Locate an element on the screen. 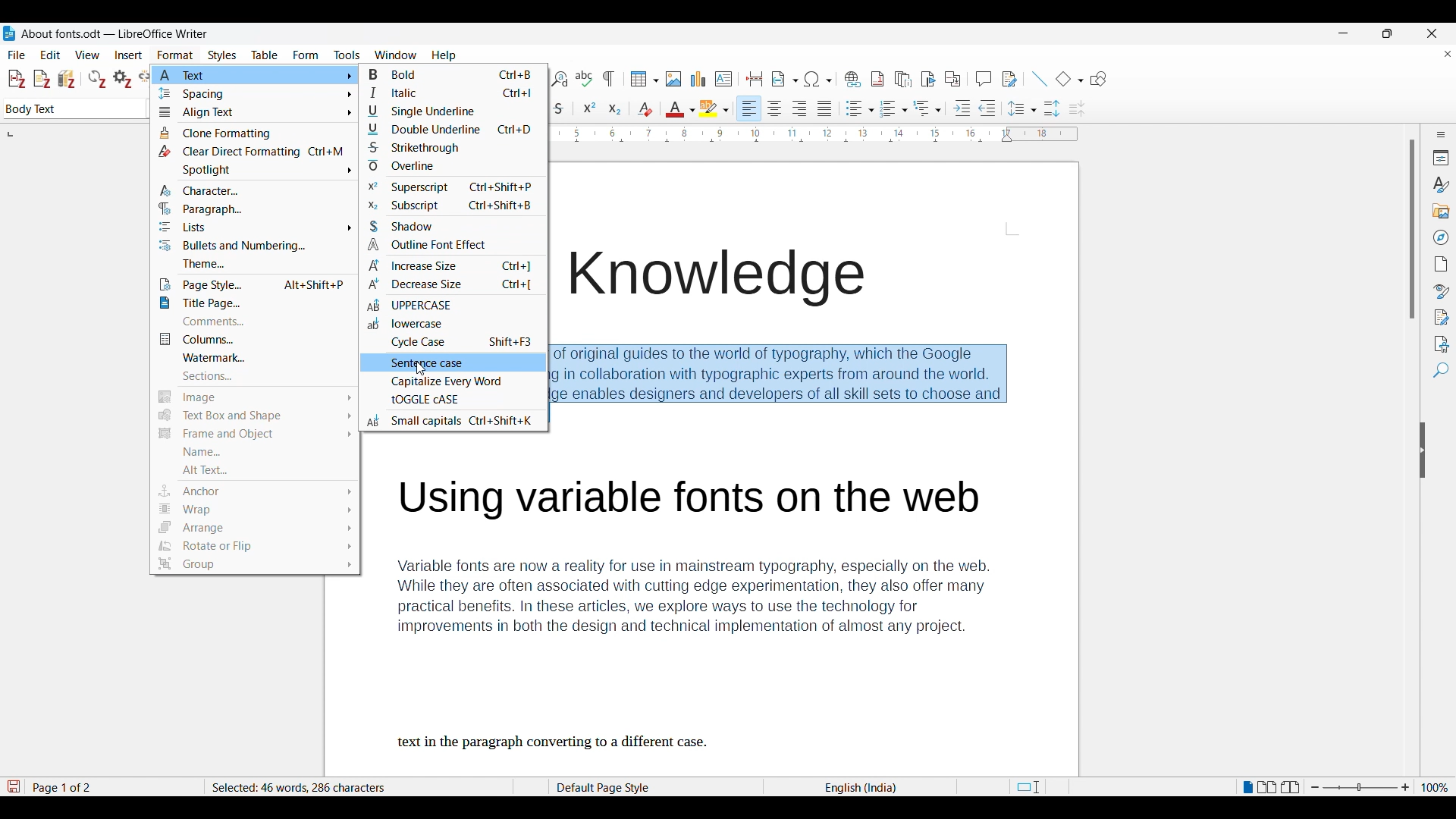 This screenshot has height=819, width=1456. bullets and numbering is located at coordinates (252, 246).